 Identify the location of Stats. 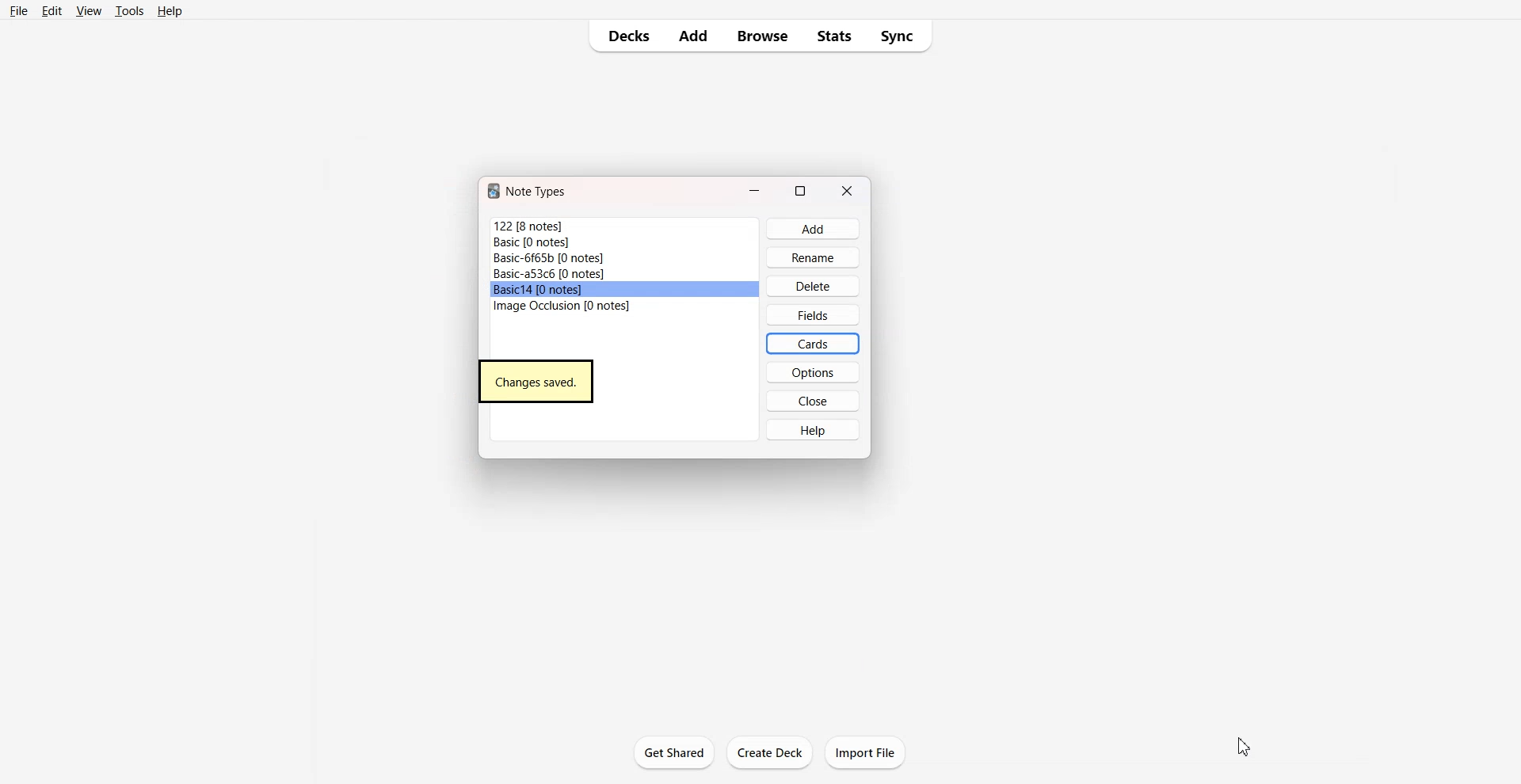
(833, 36).